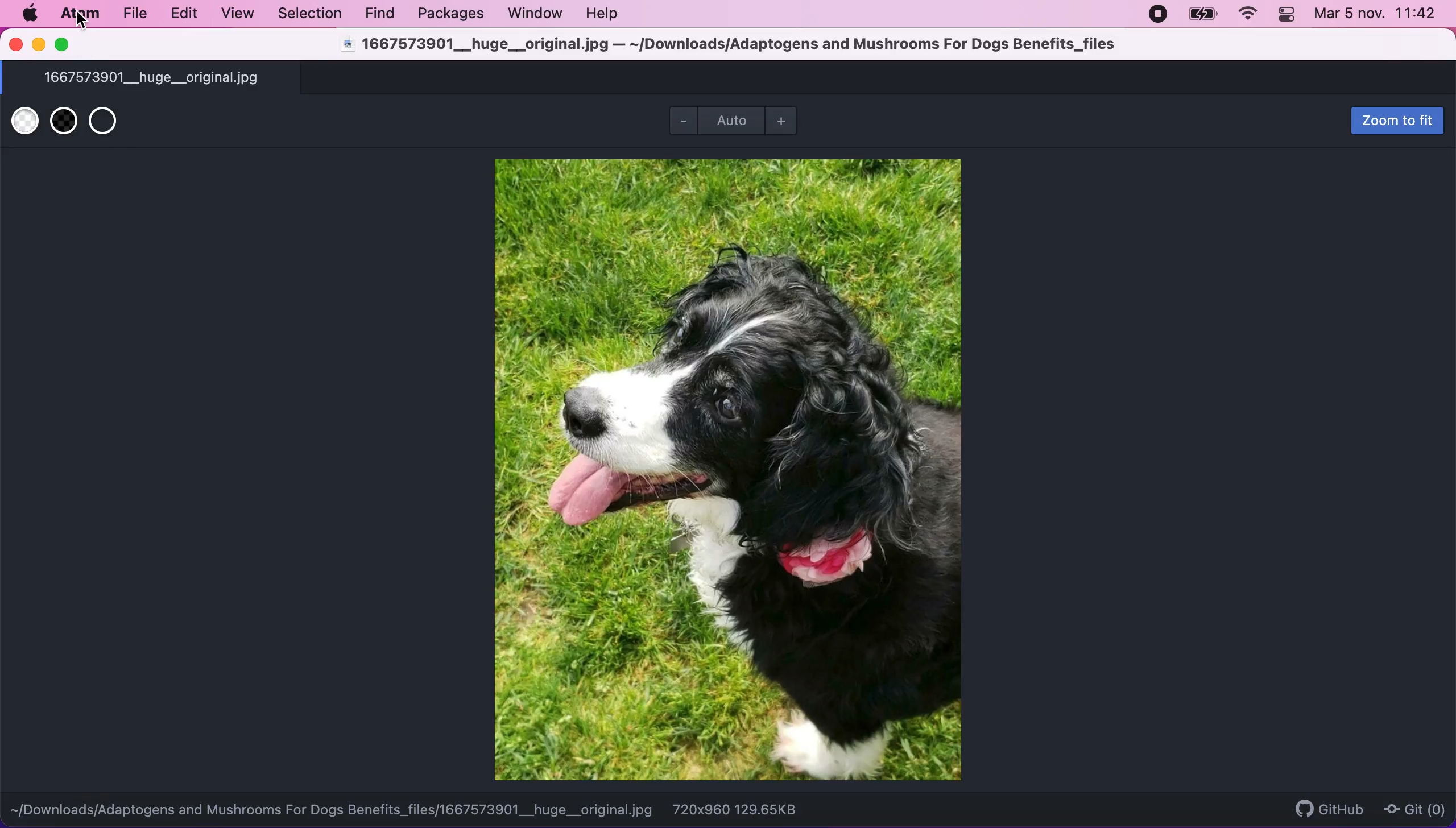  I want to click on close, so click(15, 46).